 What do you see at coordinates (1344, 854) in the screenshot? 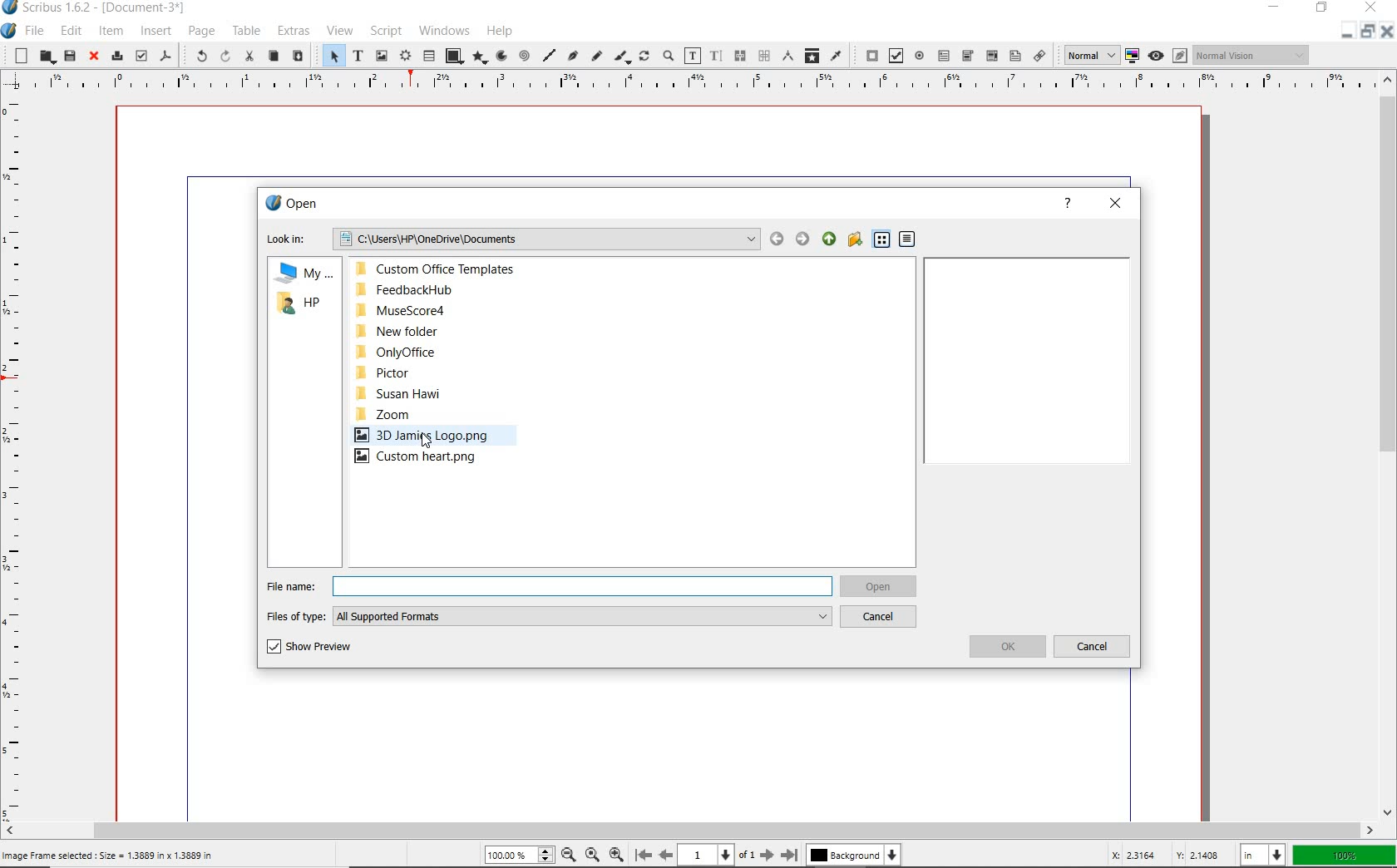
I see `zoom factor` at bounding box center [1344, 854].